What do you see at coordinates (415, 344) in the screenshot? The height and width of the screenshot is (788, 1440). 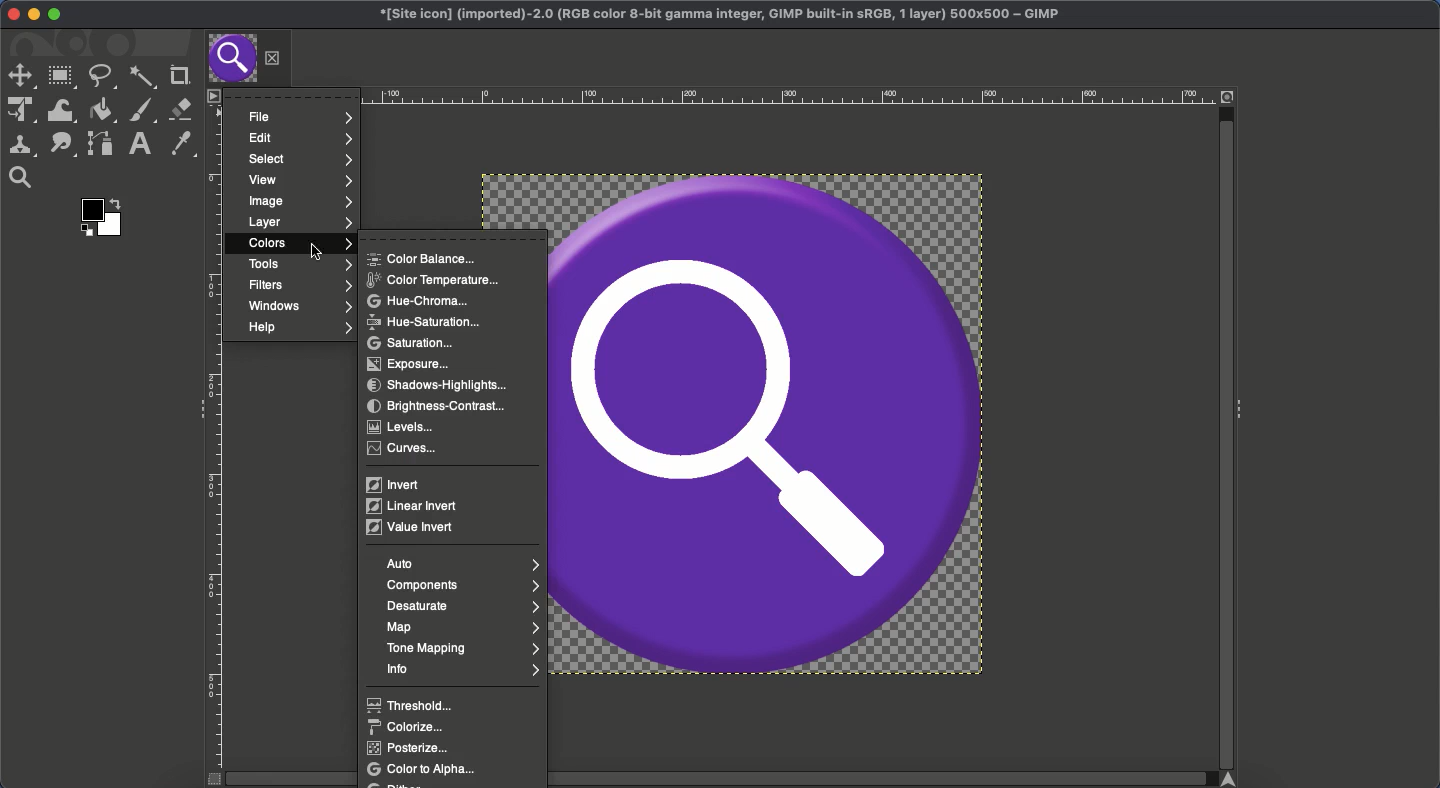 I see `Saturation` at bounding box center [415, 344].